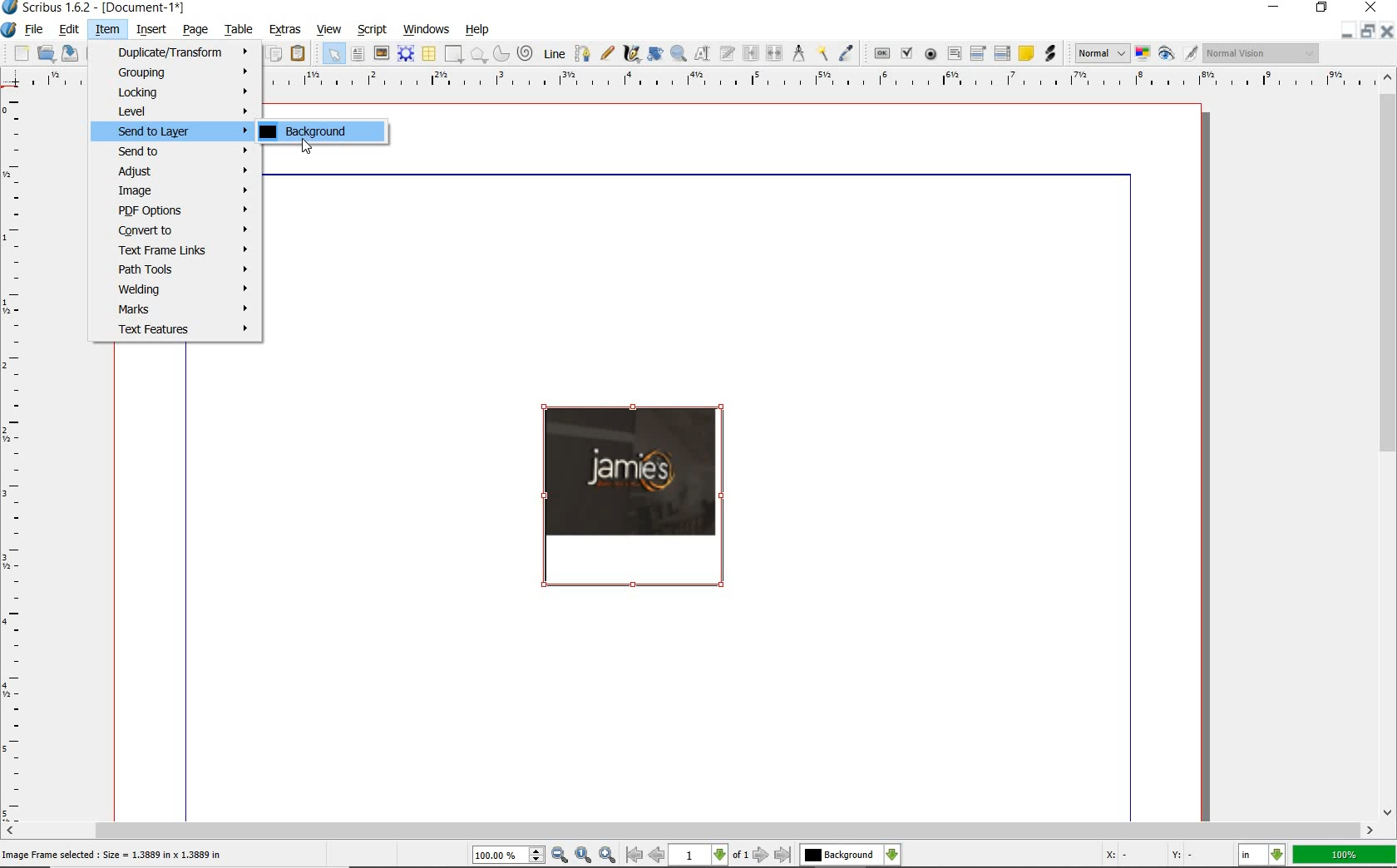  What do you see at coordinates (16, 456) in the screenshot?
I see `Vertical Margin` at bounding box center [16, 456].